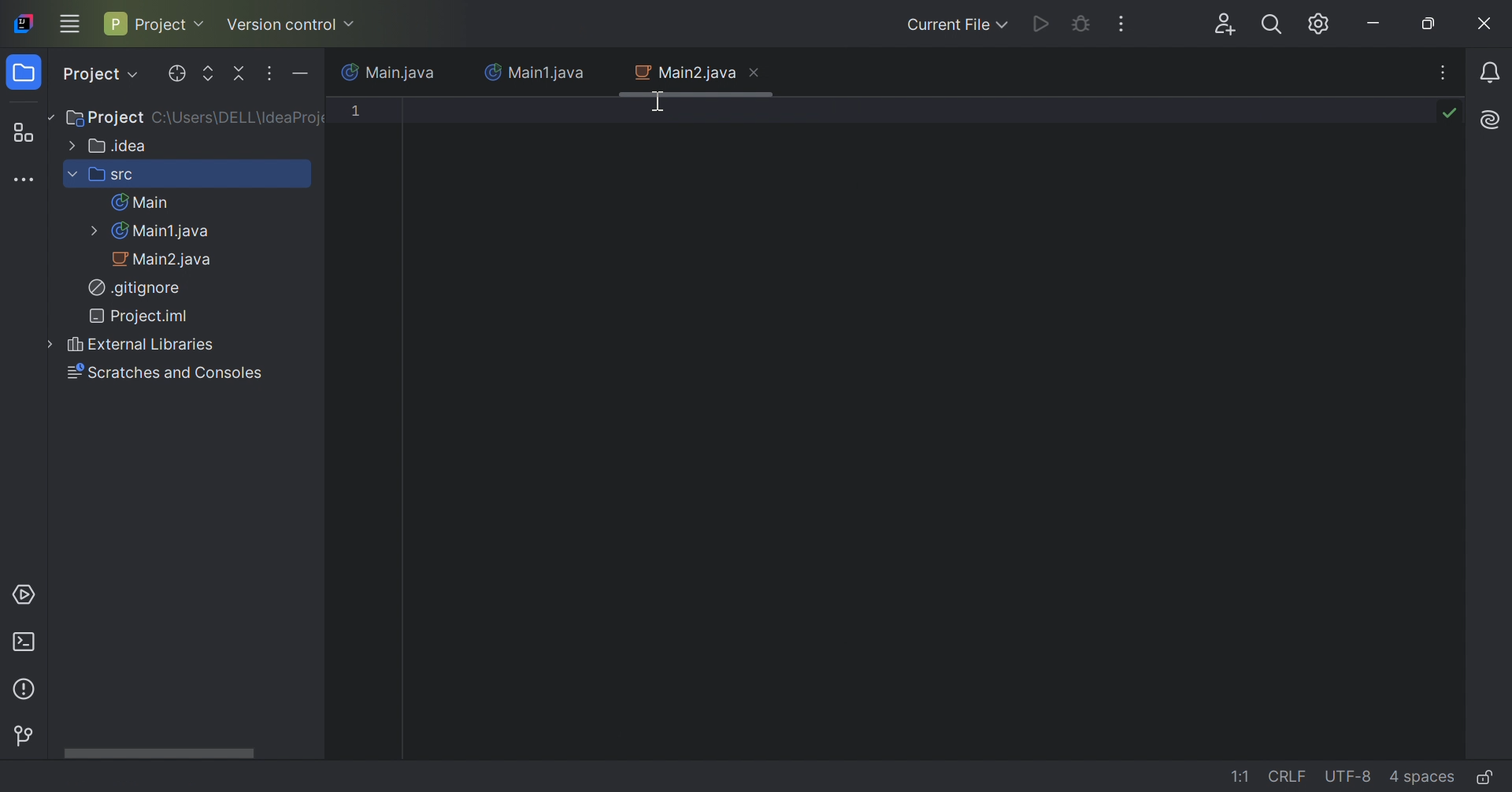 Image resolution: width=1512 pixels, height=792 pixels. Describe the element at coordinates (131, 345) in the screenshot. I see `External Libraries` at that location.